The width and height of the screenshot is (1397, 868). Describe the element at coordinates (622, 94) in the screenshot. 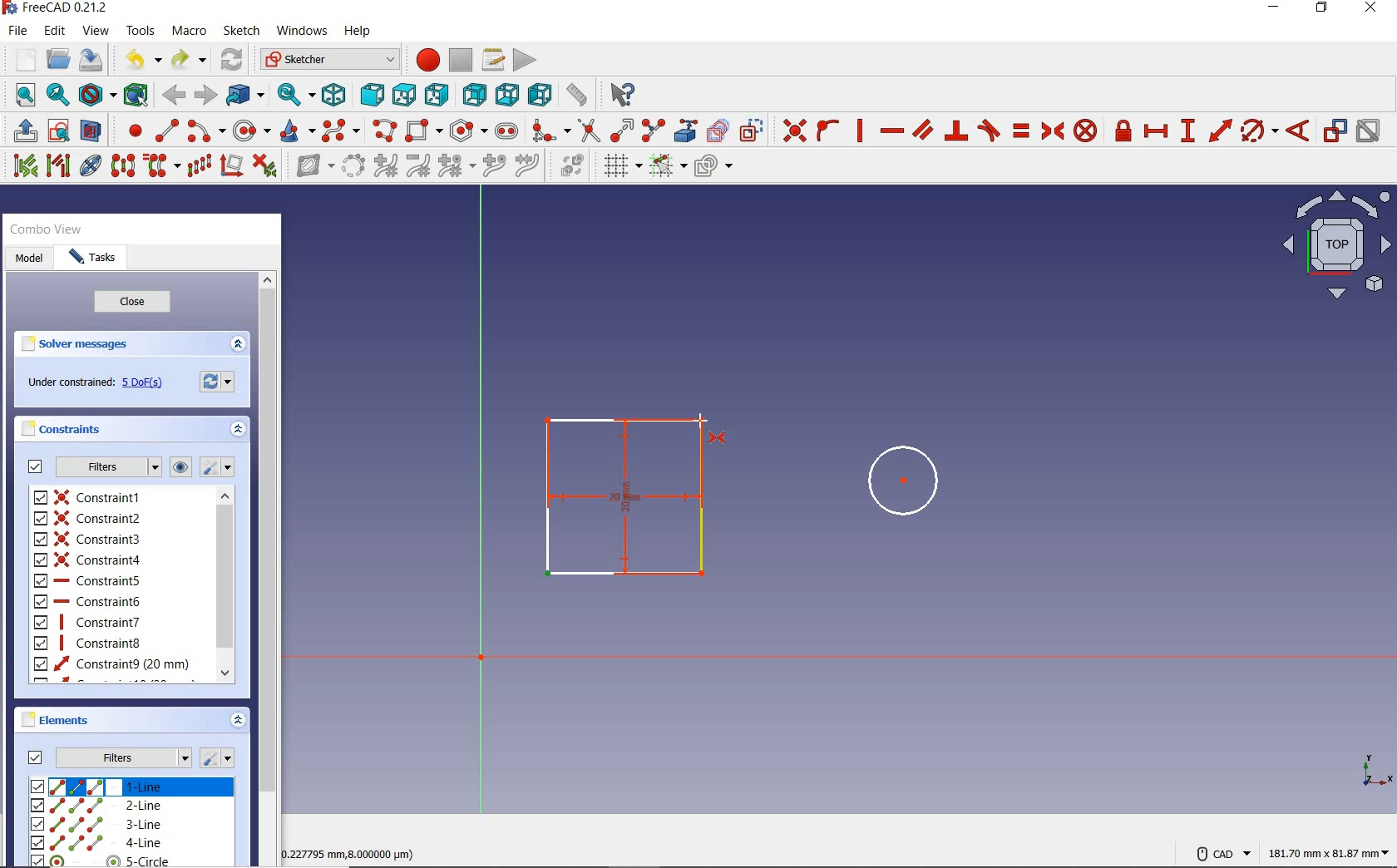

I see `what's this` at that location.